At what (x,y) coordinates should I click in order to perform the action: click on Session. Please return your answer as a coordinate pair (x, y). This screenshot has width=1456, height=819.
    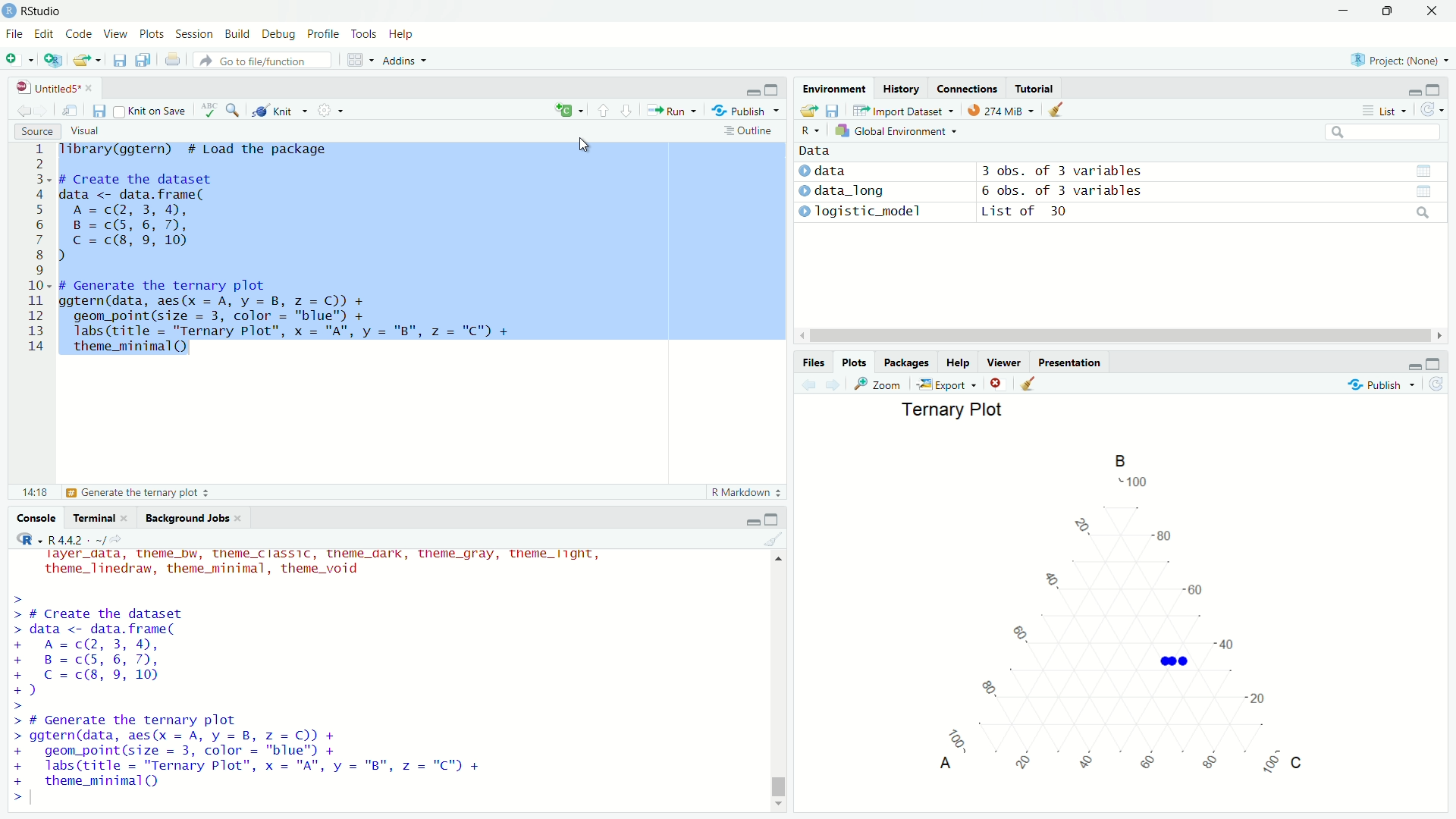
    Looking at the image, I should click on (193, 36).